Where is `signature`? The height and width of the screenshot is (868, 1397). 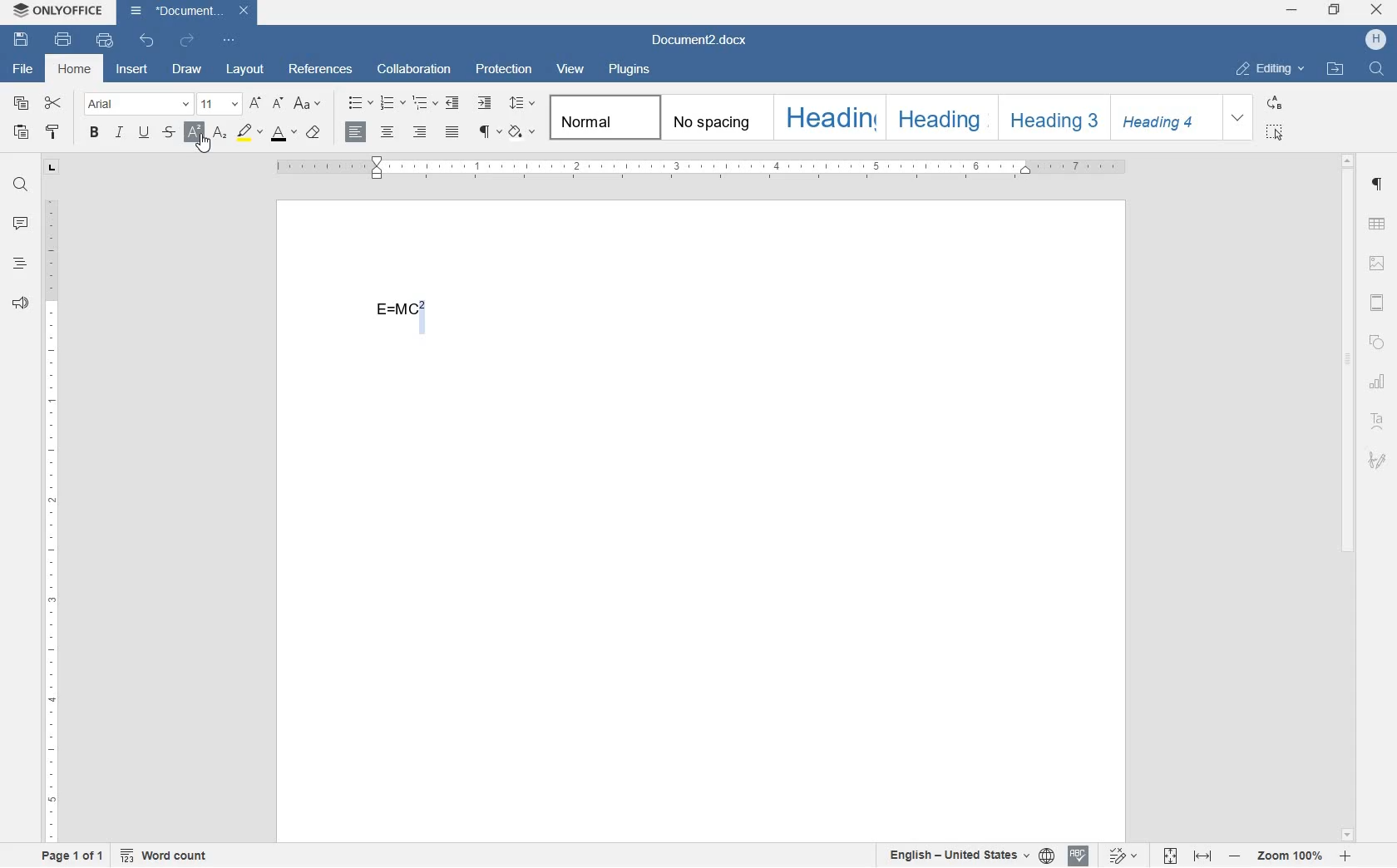
signature is located at coordinates (1379, 462).